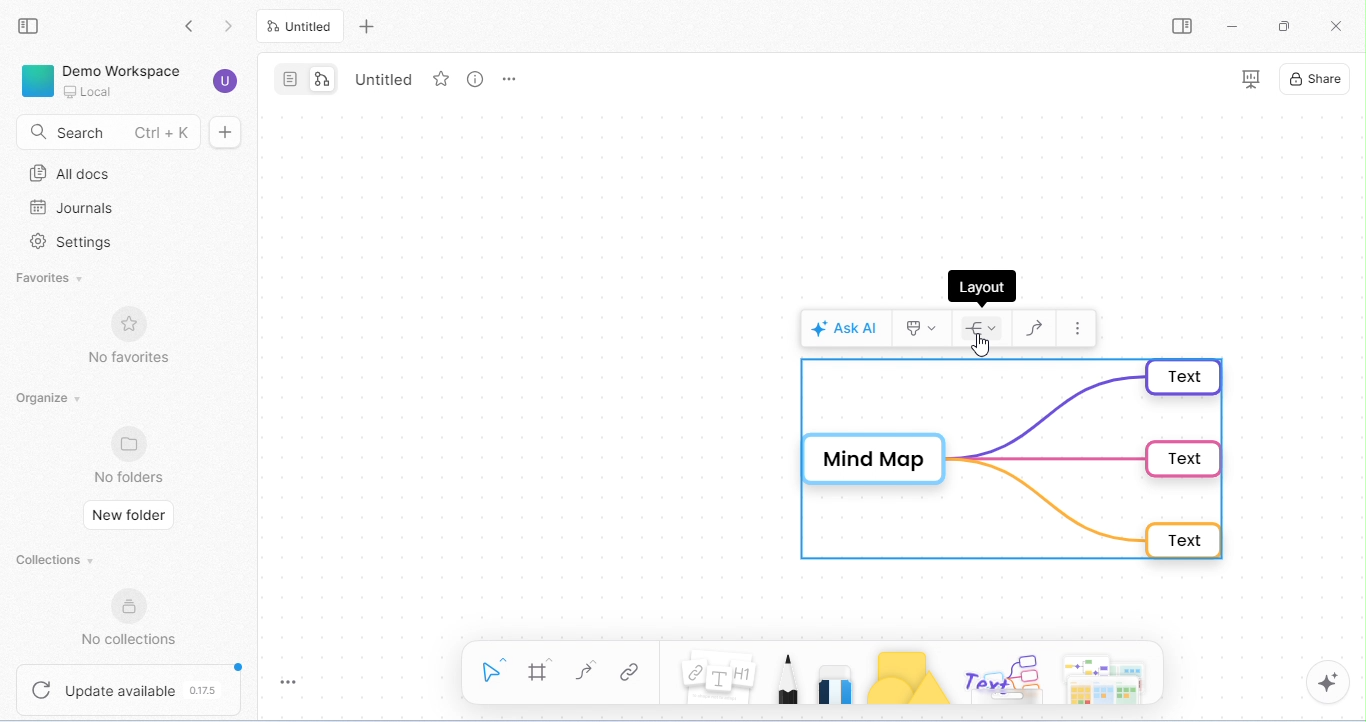  I want to click on edgeless mode, so click(322, 77).